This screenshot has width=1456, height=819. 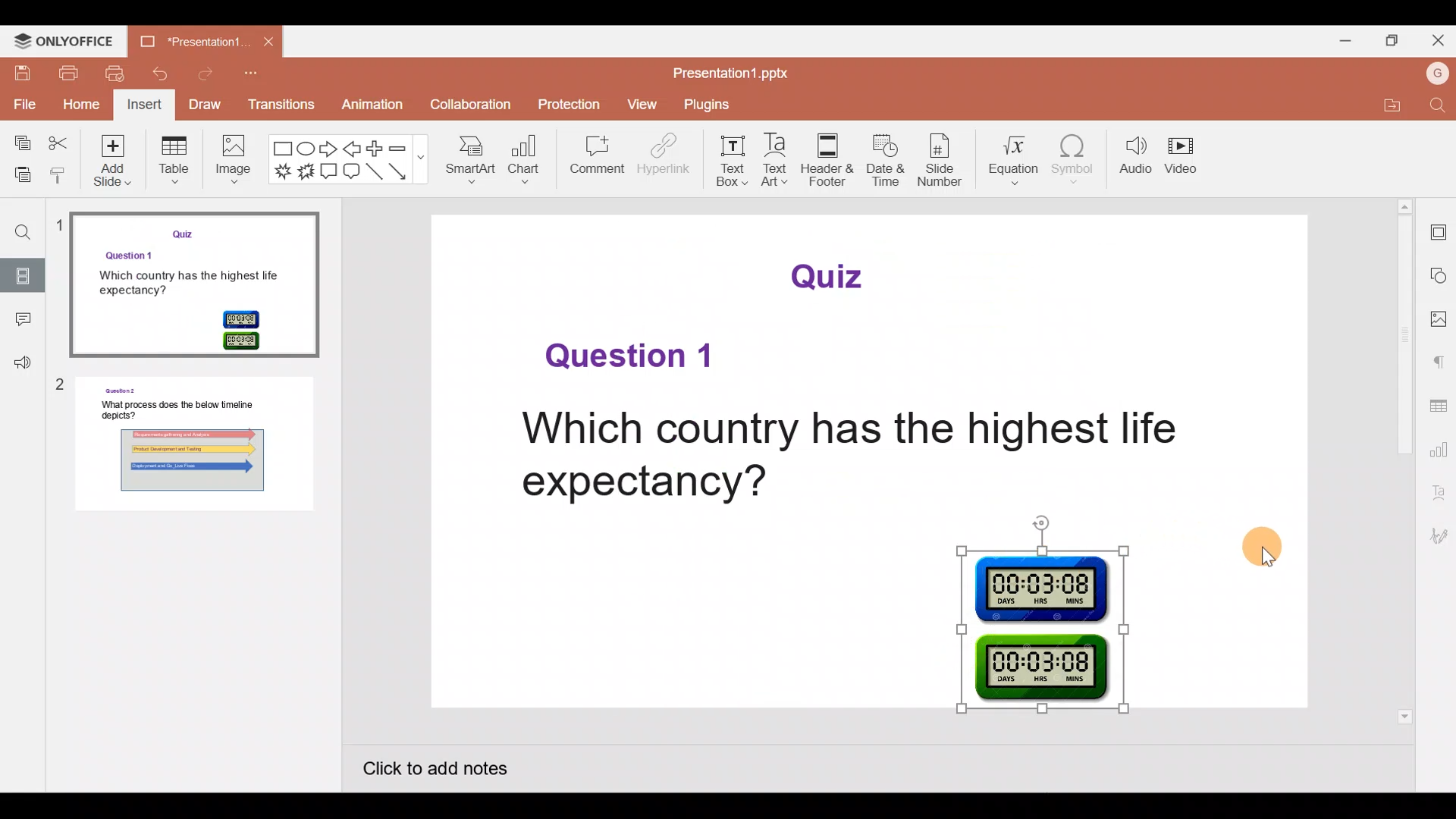 What do you see at coordinates (1439, 275) in the screenshot?
I see `Shape settings` at bounding box center [1439, 275].